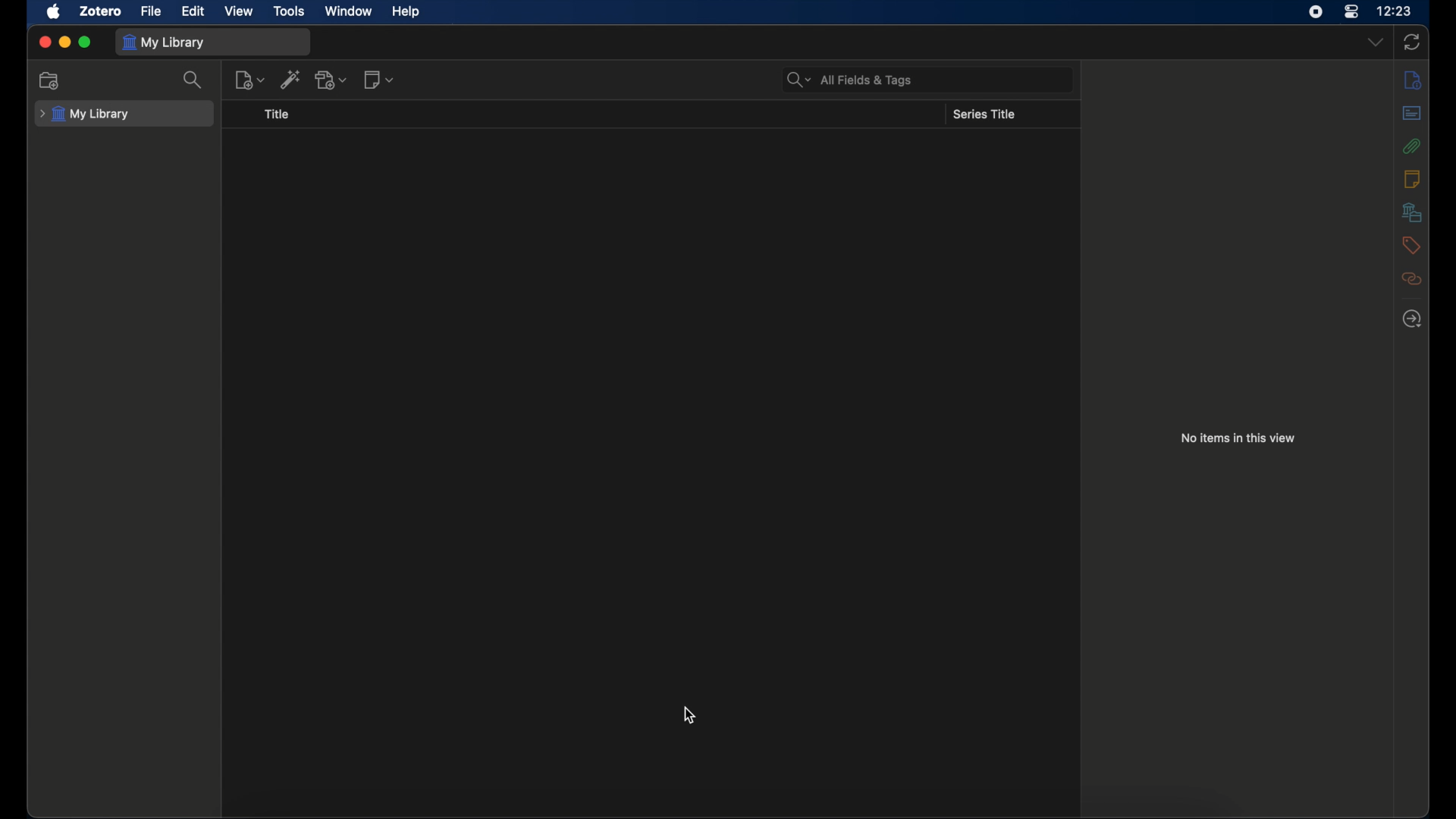 The height and width of the screenshot is (819, 1456). I want to click on sync, so click(1411, 42).